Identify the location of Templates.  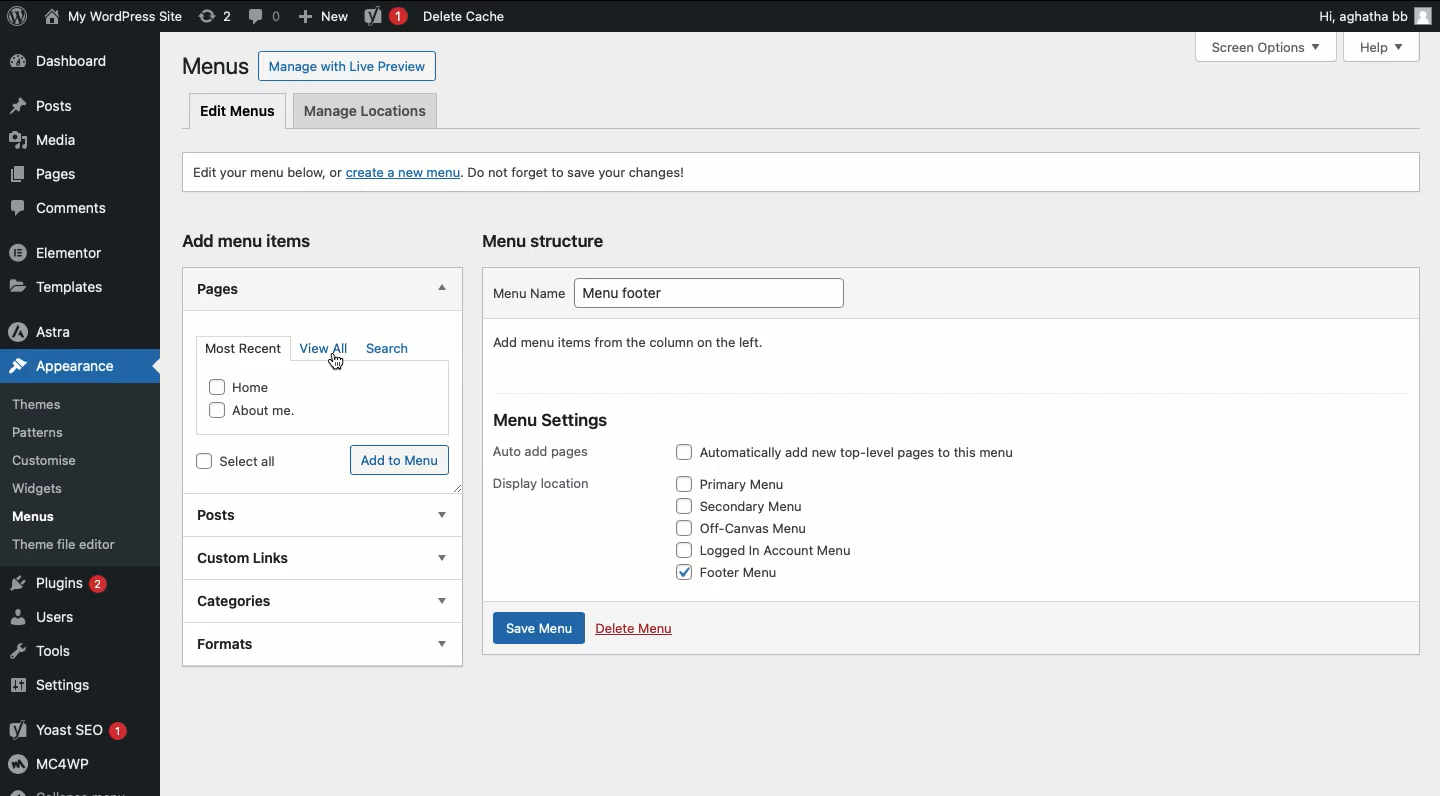
(70, 284).